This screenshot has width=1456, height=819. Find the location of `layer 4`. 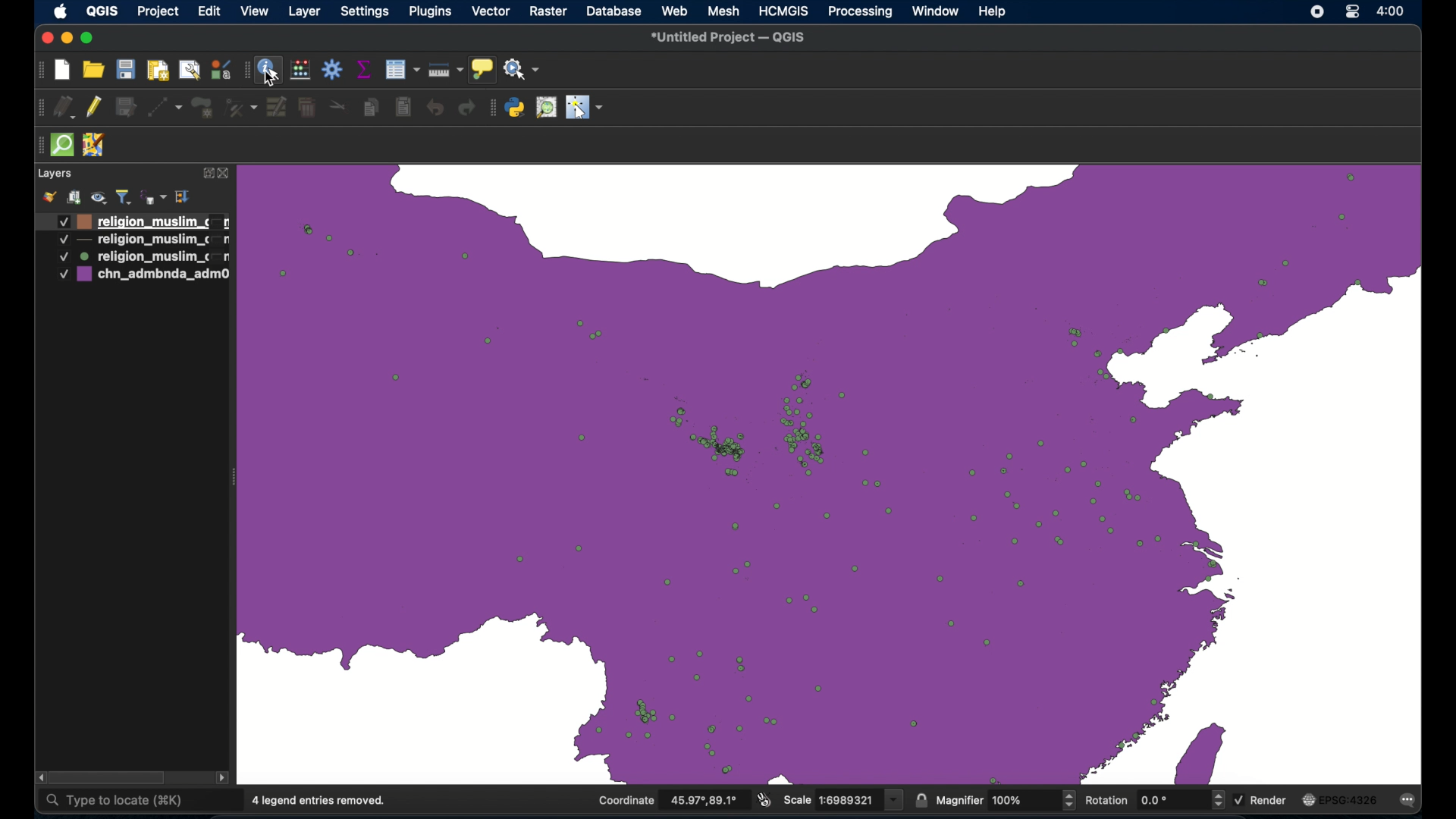

layer 4 is located at coordinates (143, 276).